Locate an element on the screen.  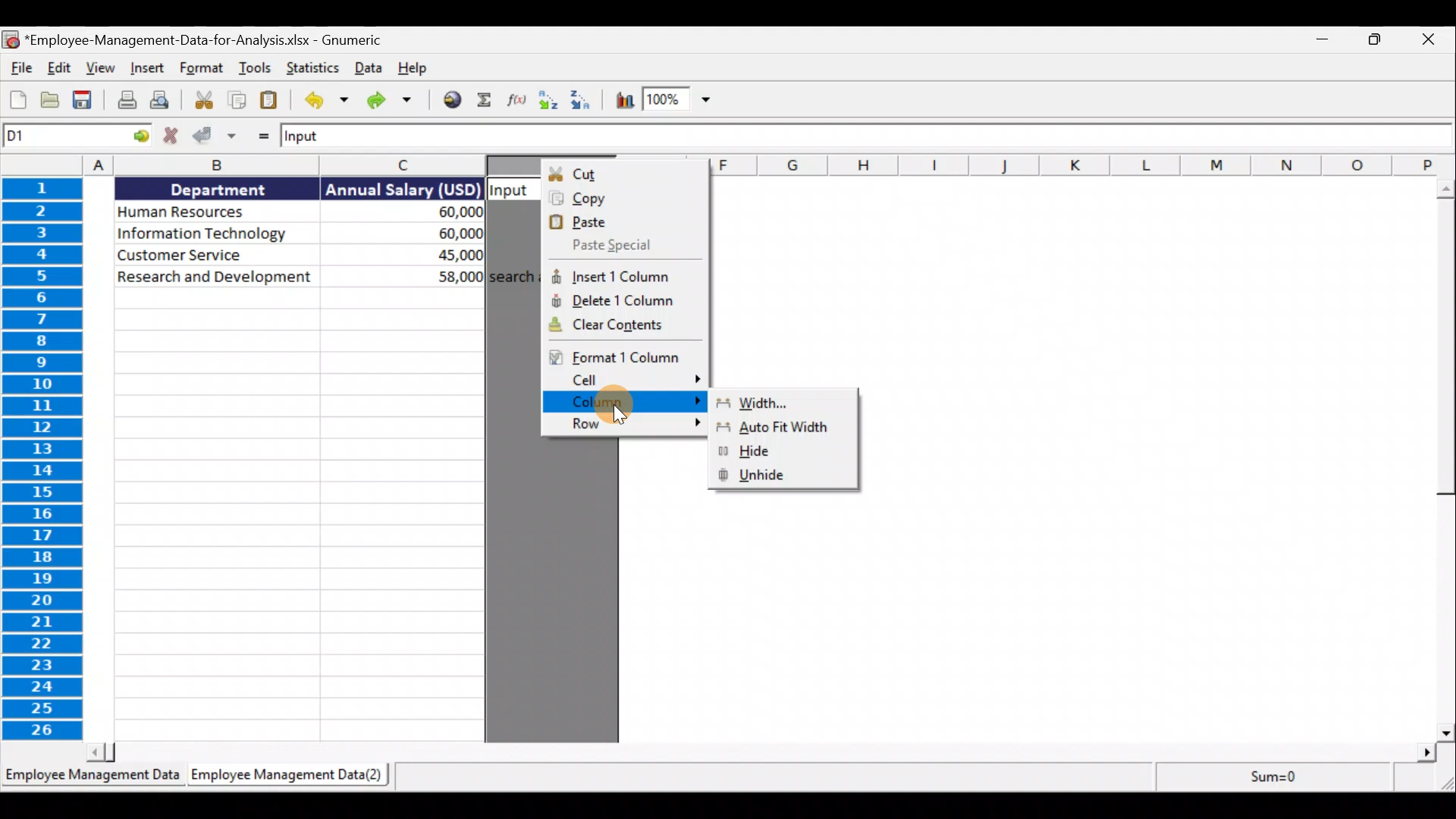
columns is located at coordinates (242, 165).